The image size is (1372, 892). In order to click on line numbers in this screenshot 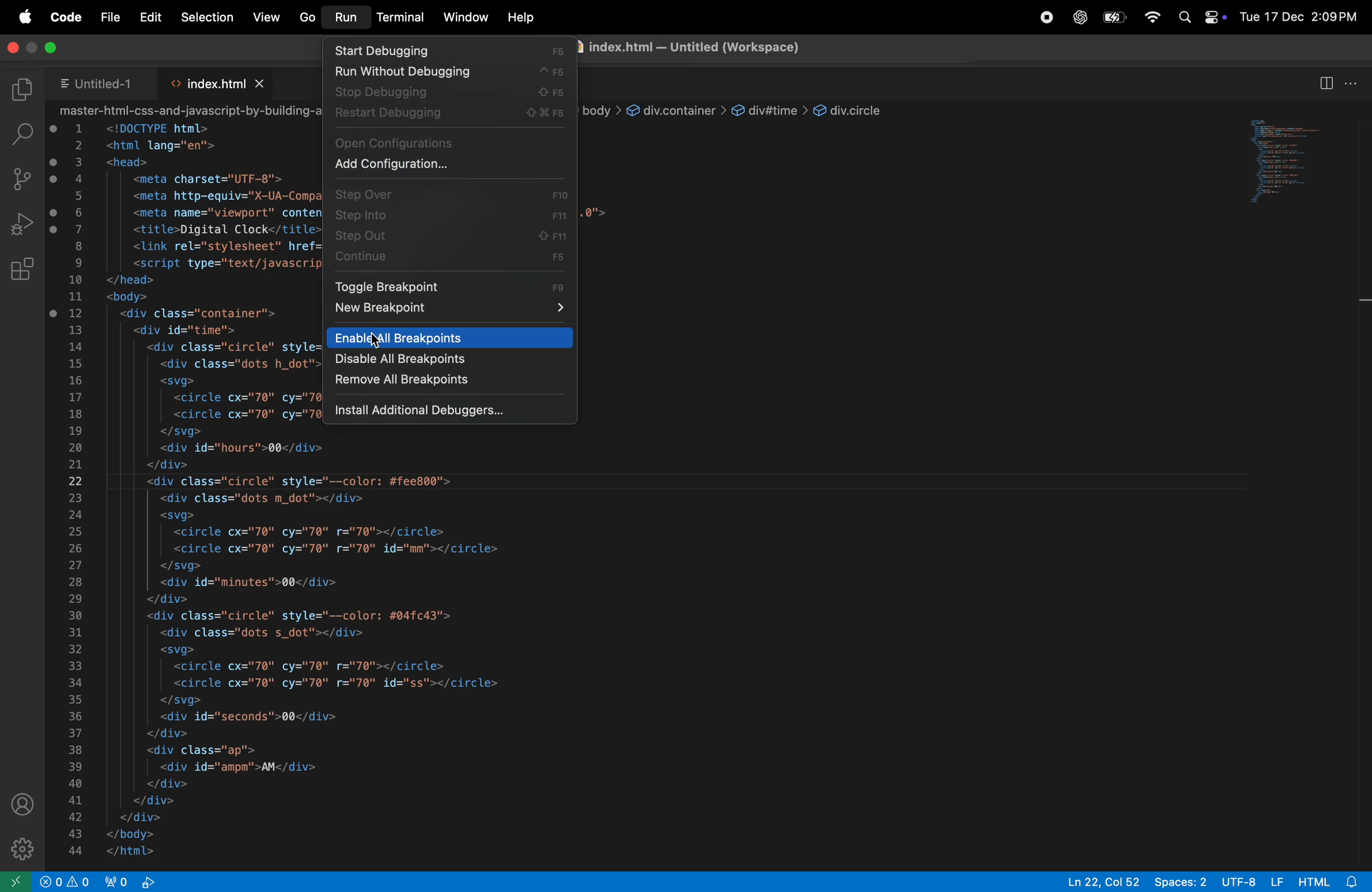, I will do `click(77, 490)`.